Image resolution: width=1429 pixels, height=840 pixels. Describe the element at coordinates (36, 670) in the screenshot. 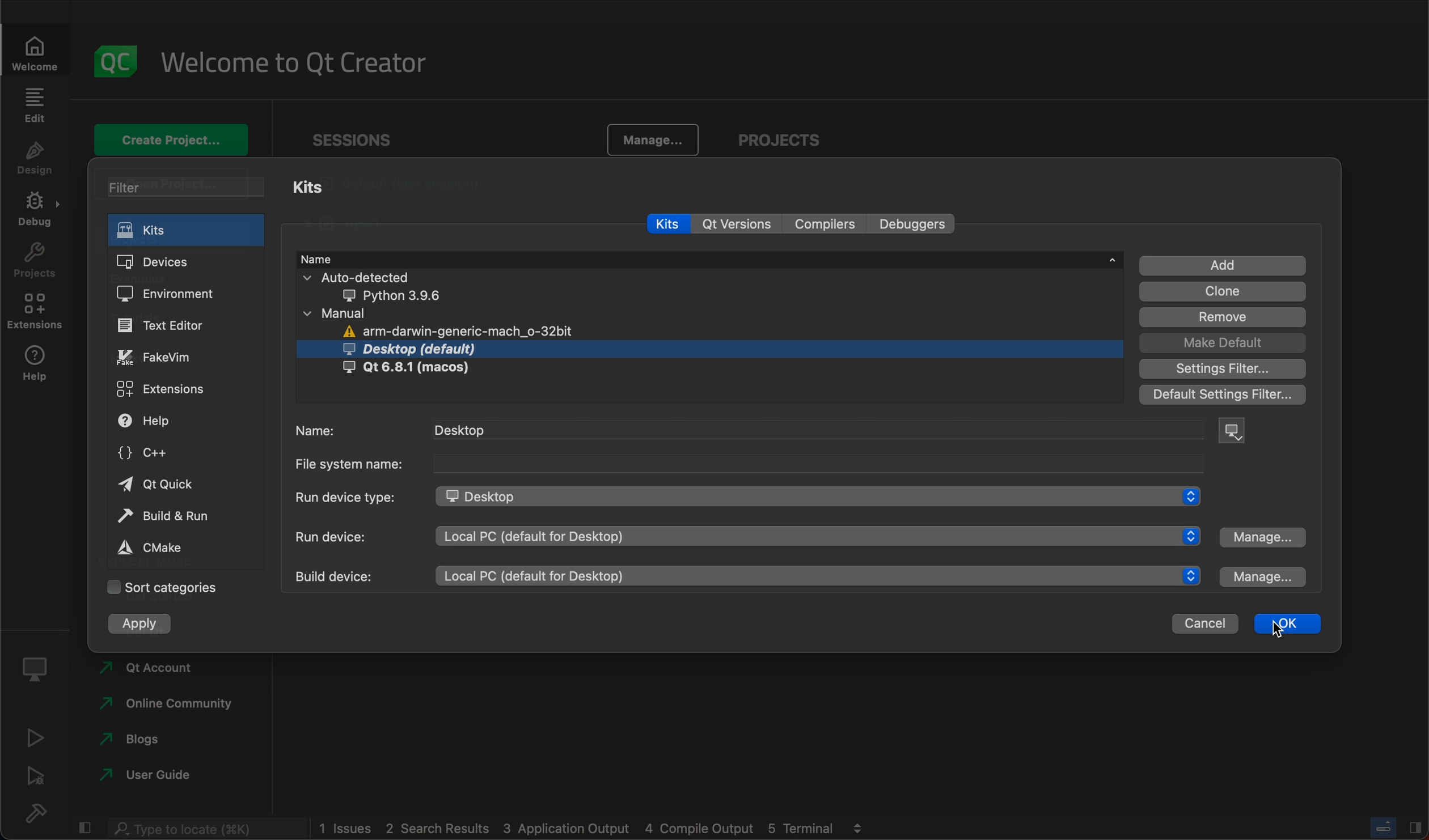

I see `kit selector` at that location.